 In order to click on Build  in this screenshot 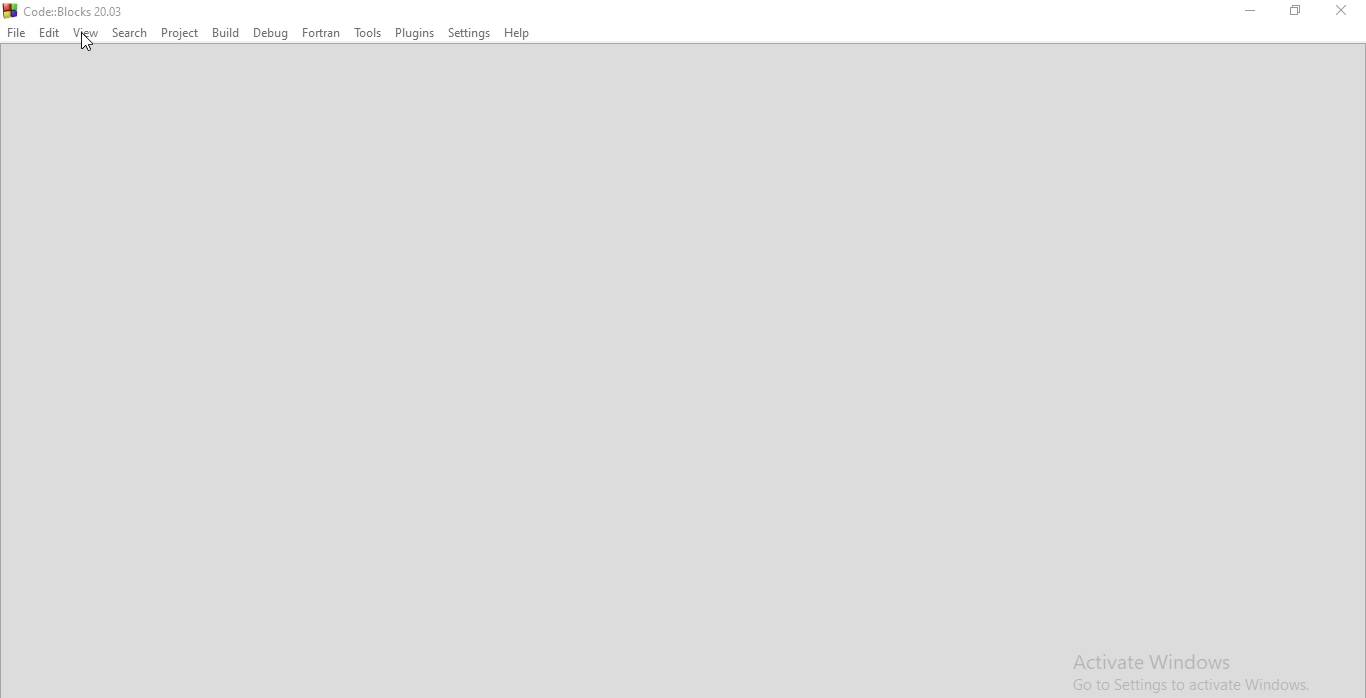, I will do `click(223, 32)`.